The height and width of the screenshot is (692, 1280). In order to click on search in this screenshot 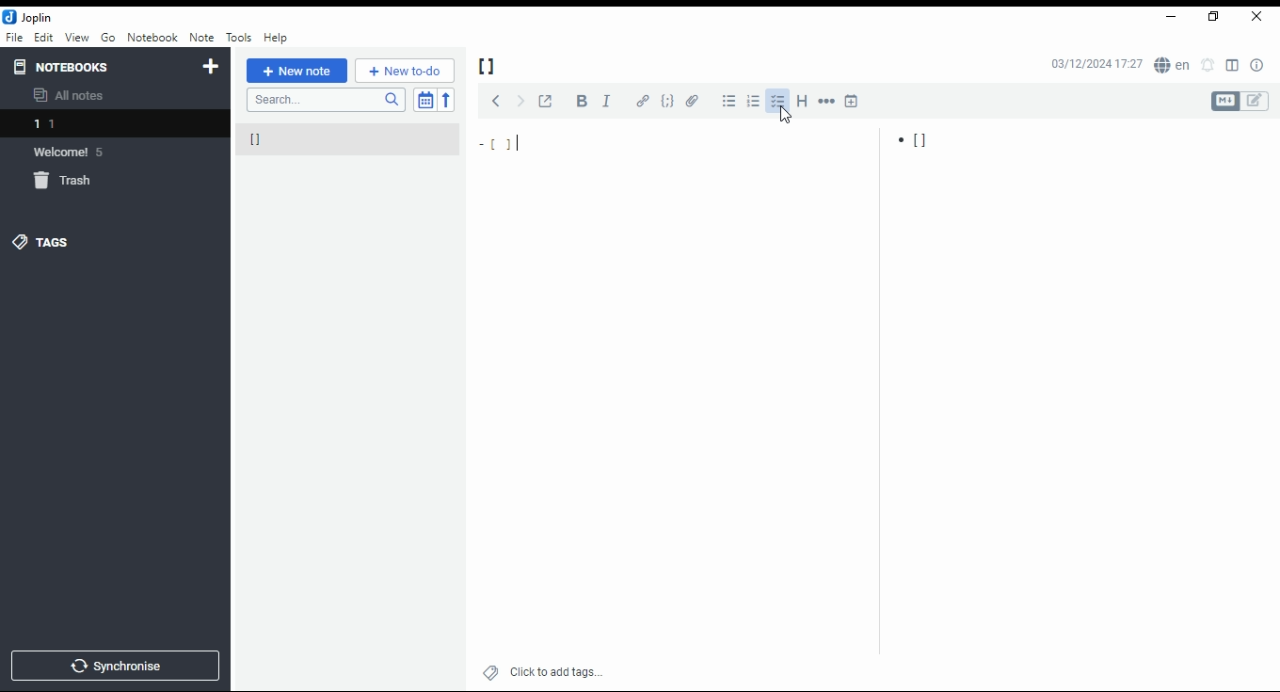, I will do `click(325, 99)`.